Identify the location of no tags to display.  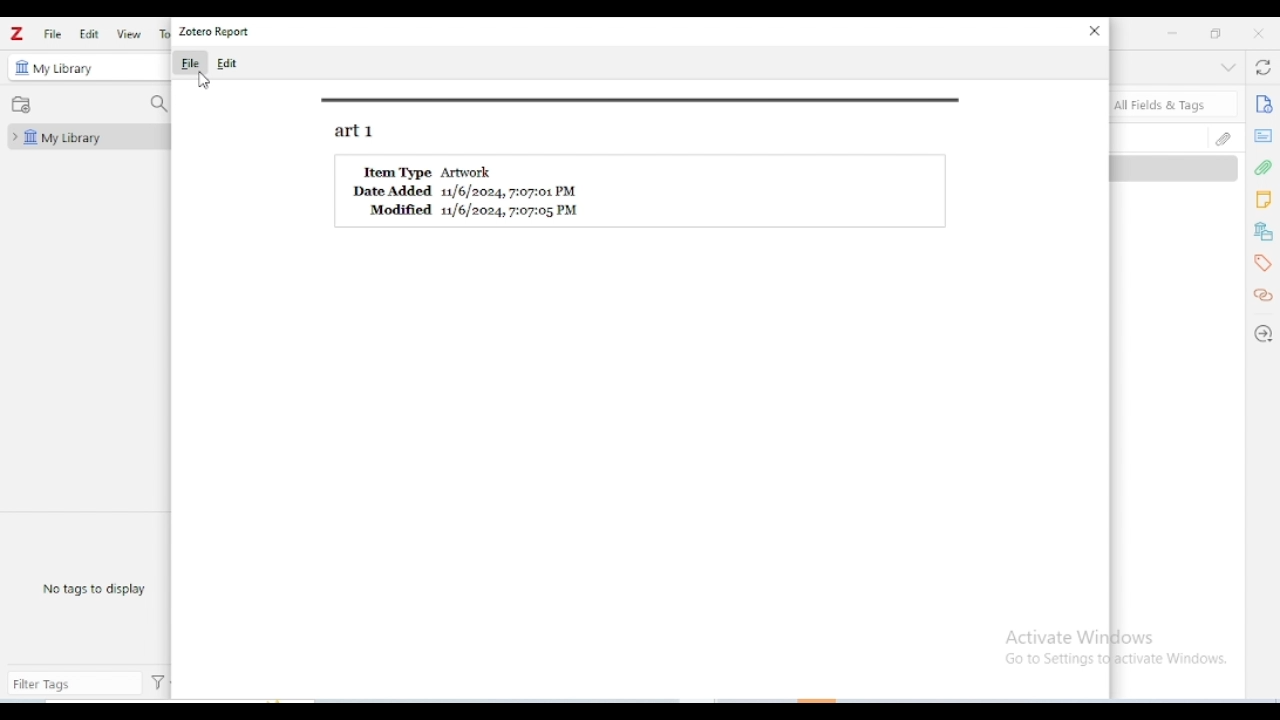
(93, 588).